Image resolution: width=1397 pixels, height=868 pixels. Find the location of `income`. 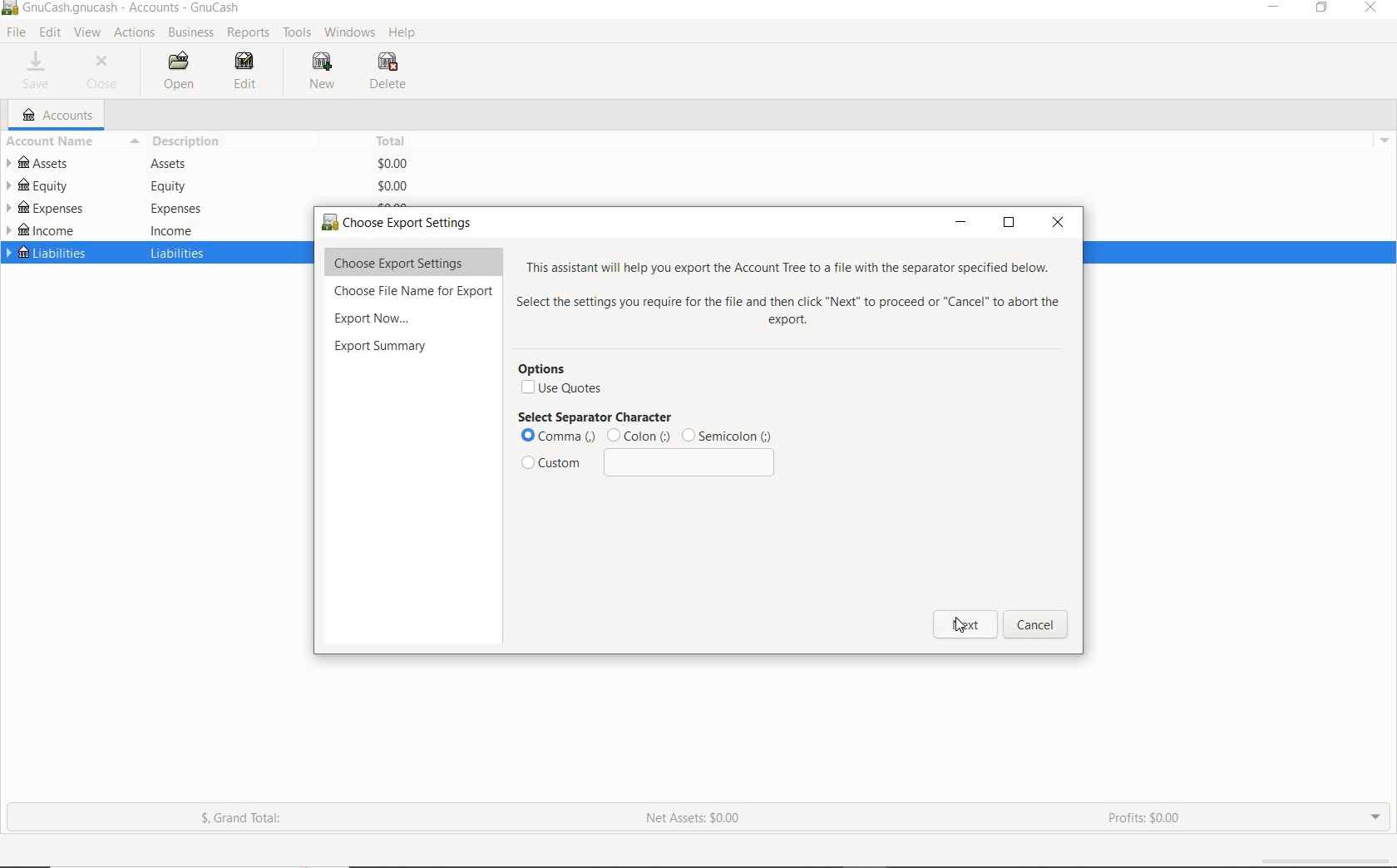

income is located at coordinates (170, 229).